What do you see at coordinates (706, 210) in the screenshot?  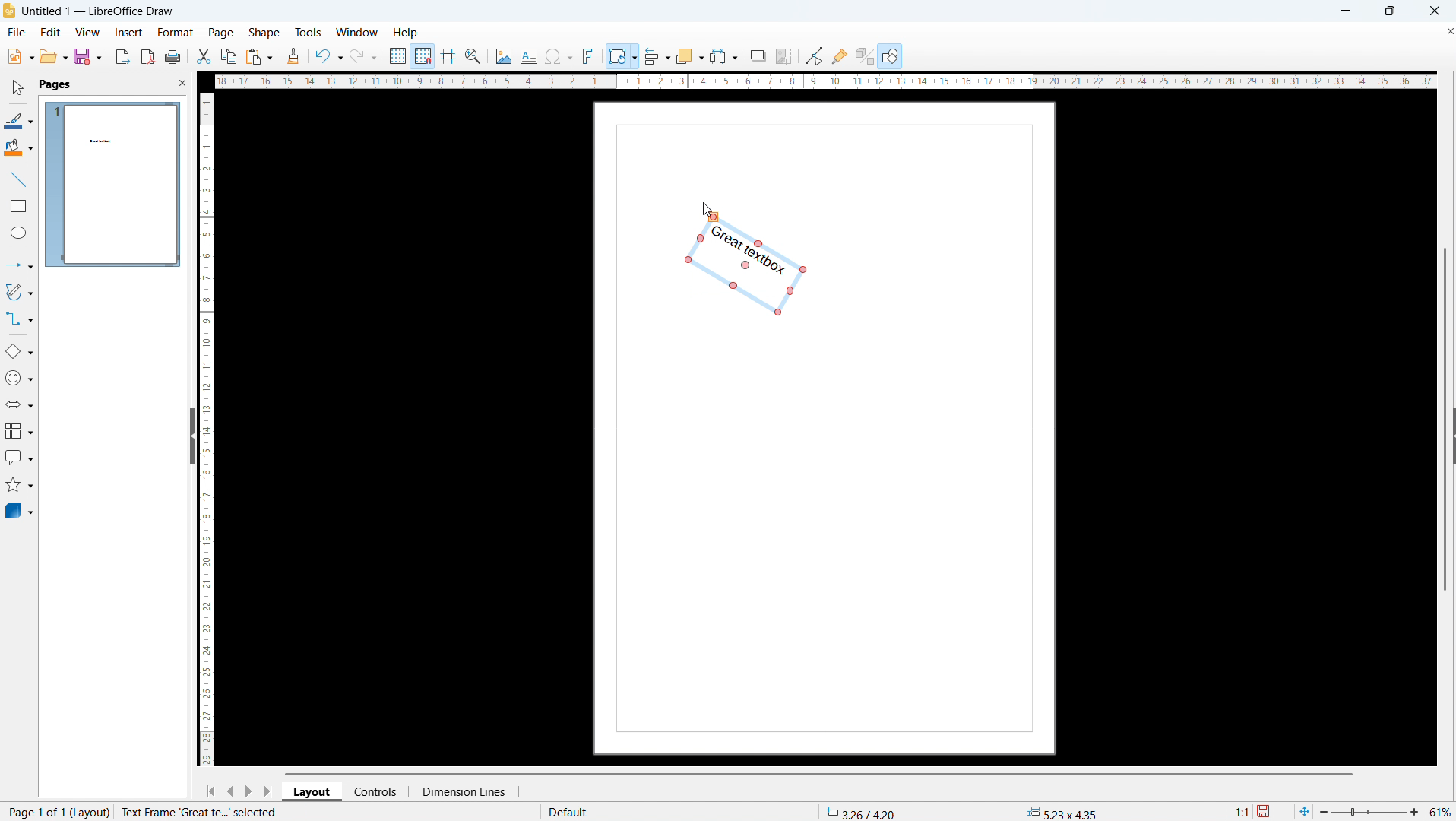 I see `cursor` at bounding box center [706, 210].